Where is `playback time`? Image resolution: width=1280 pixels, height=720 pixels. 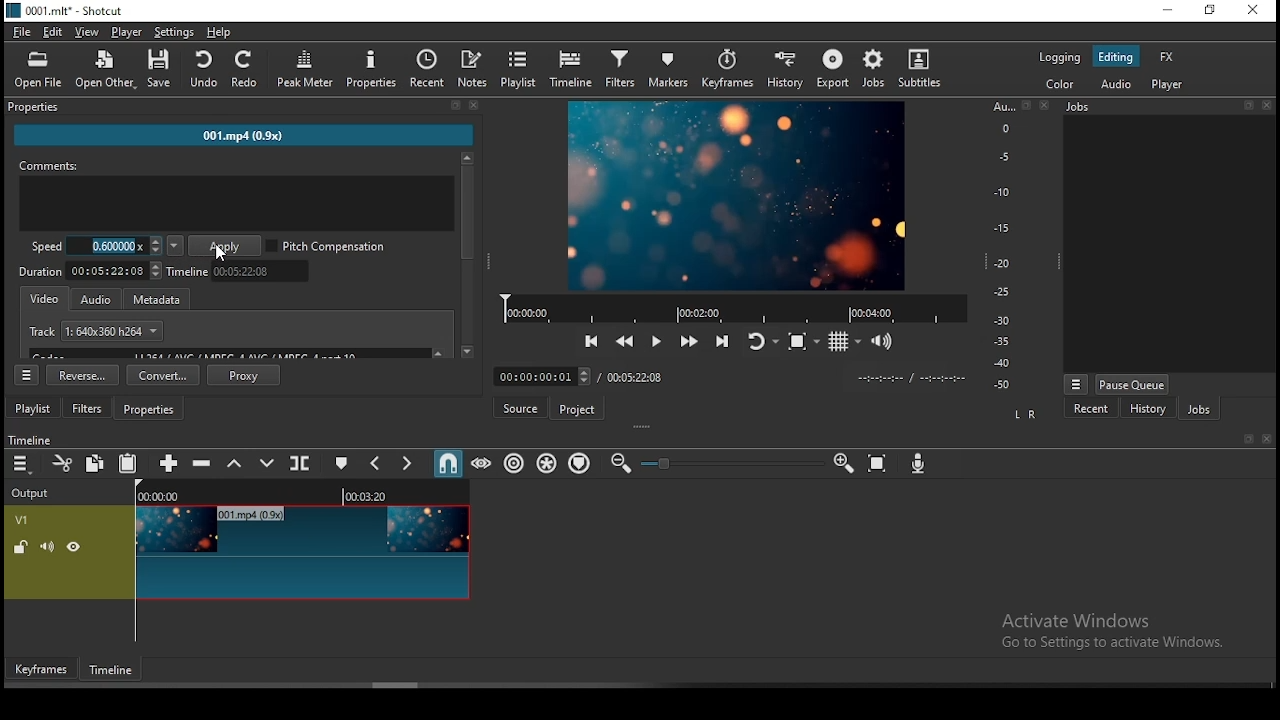 playback time is located at coordinates (727, 307).